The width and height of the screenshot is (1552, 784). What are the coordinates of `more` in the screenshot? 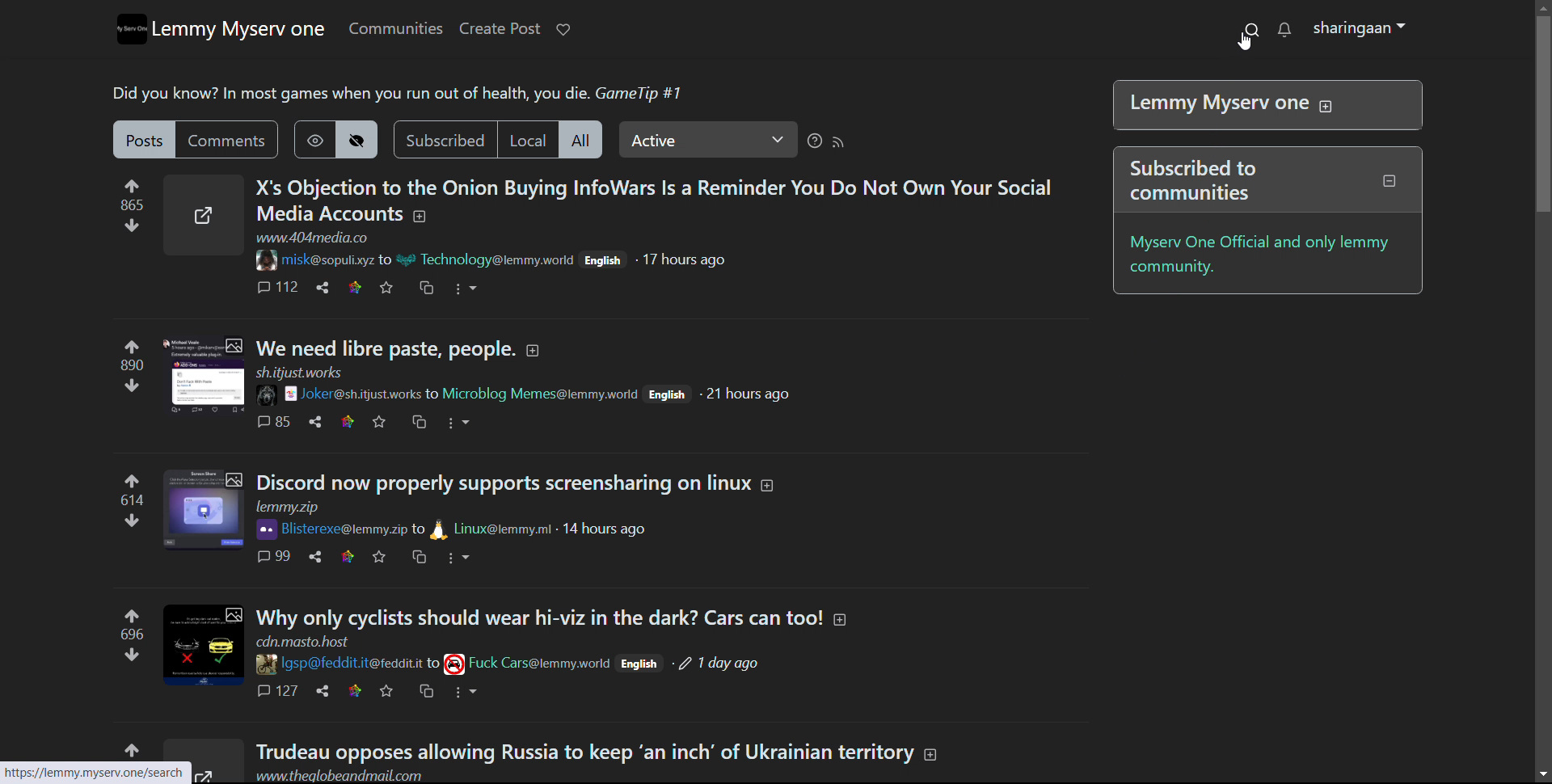 It's located at (466, 693).